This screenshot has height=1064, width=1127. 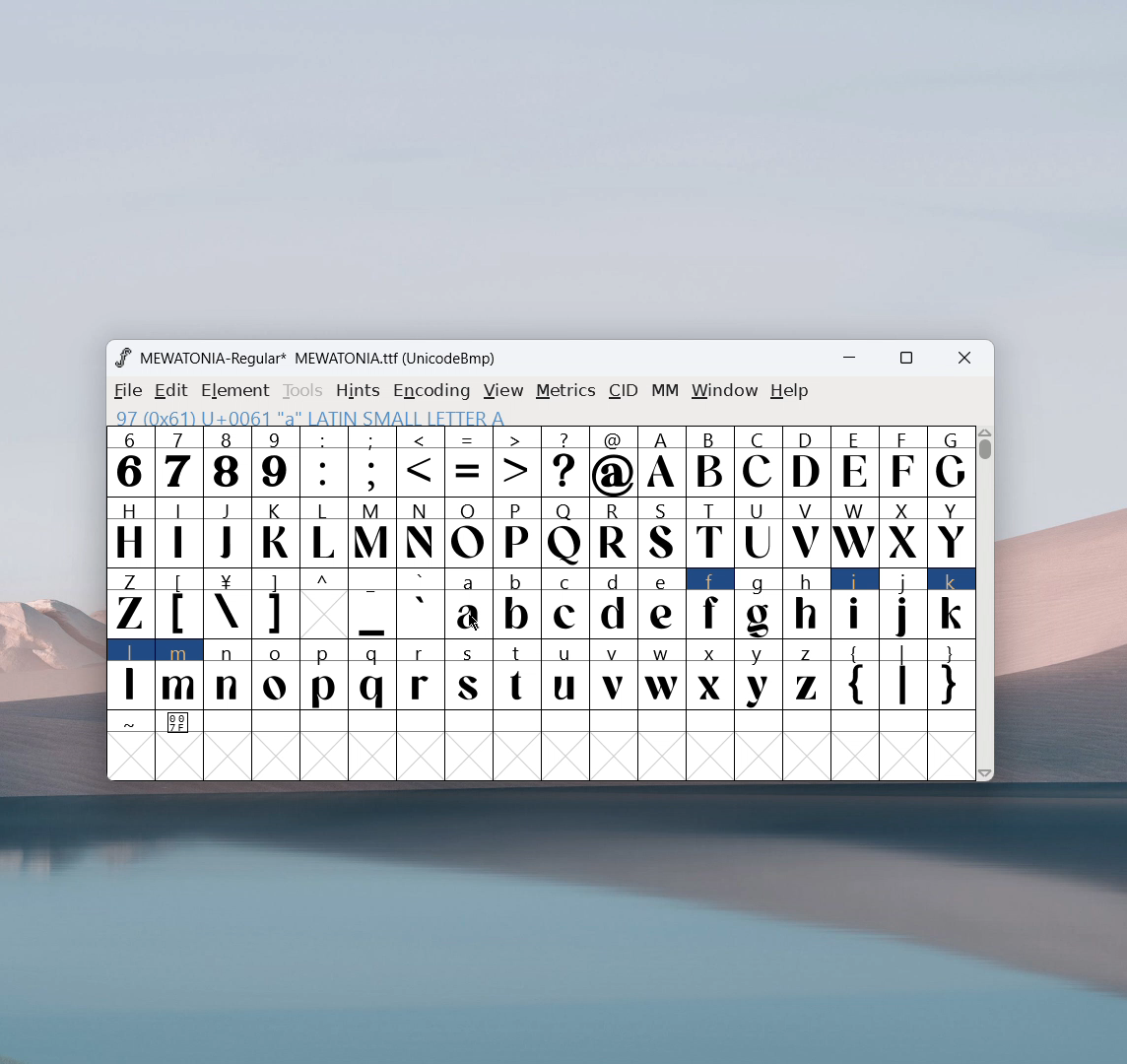 I want to click on m, so click(x=179, y=675).